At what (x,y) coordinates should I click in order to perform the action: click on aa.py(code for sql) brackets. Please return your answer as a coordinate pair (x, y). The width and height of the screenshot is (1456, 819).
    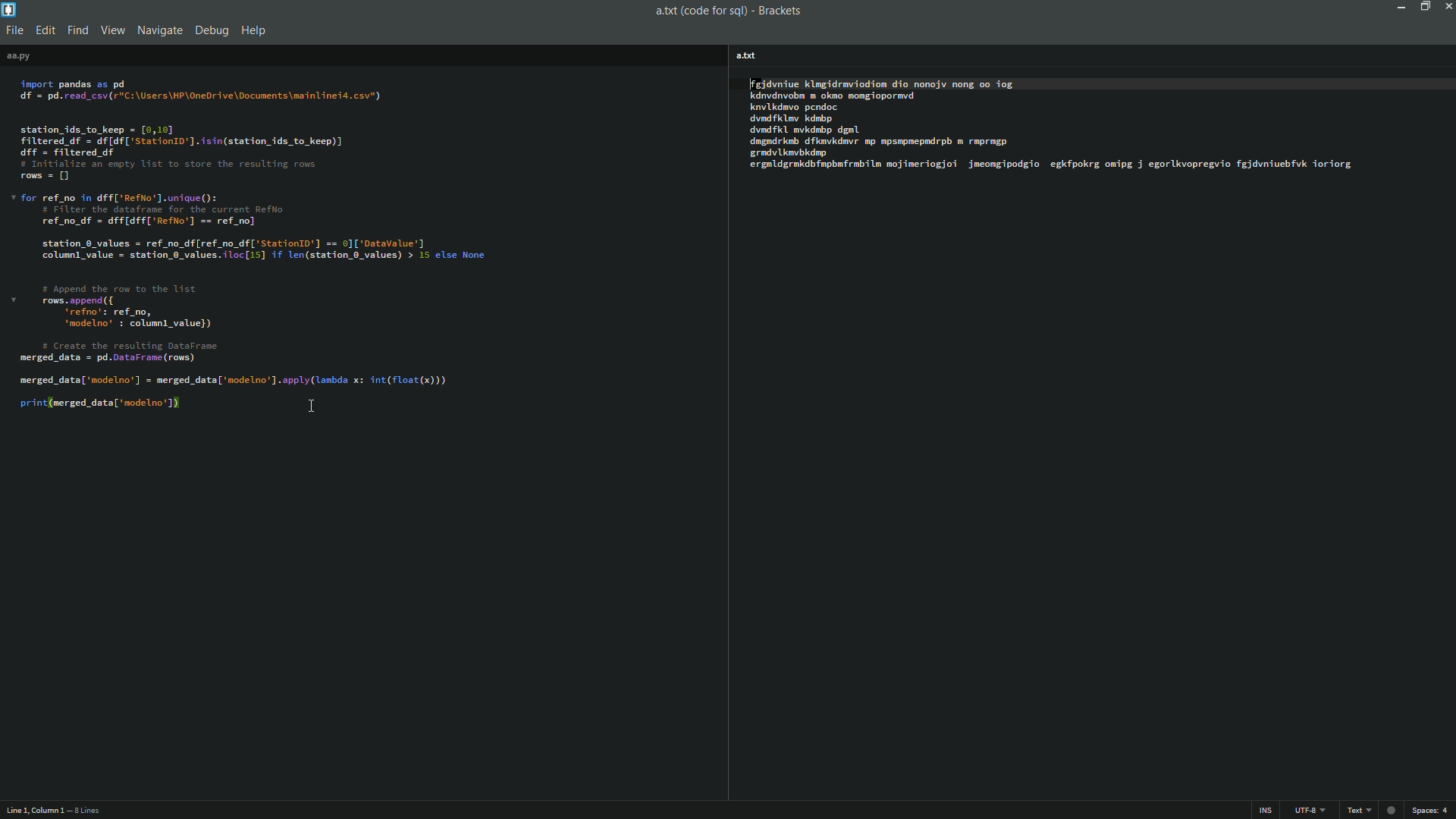
    Looking at the image, I should click on (726, 11).